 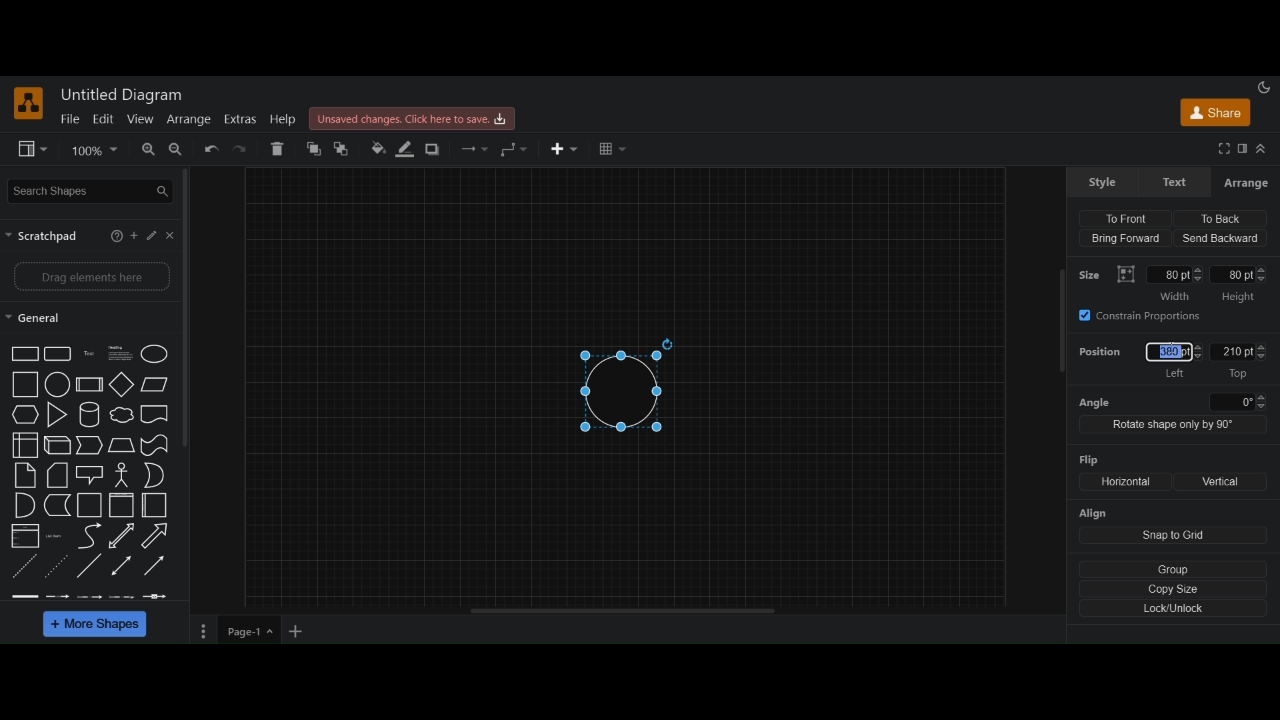 I want to click on diamond, so click(x=123, y=386).